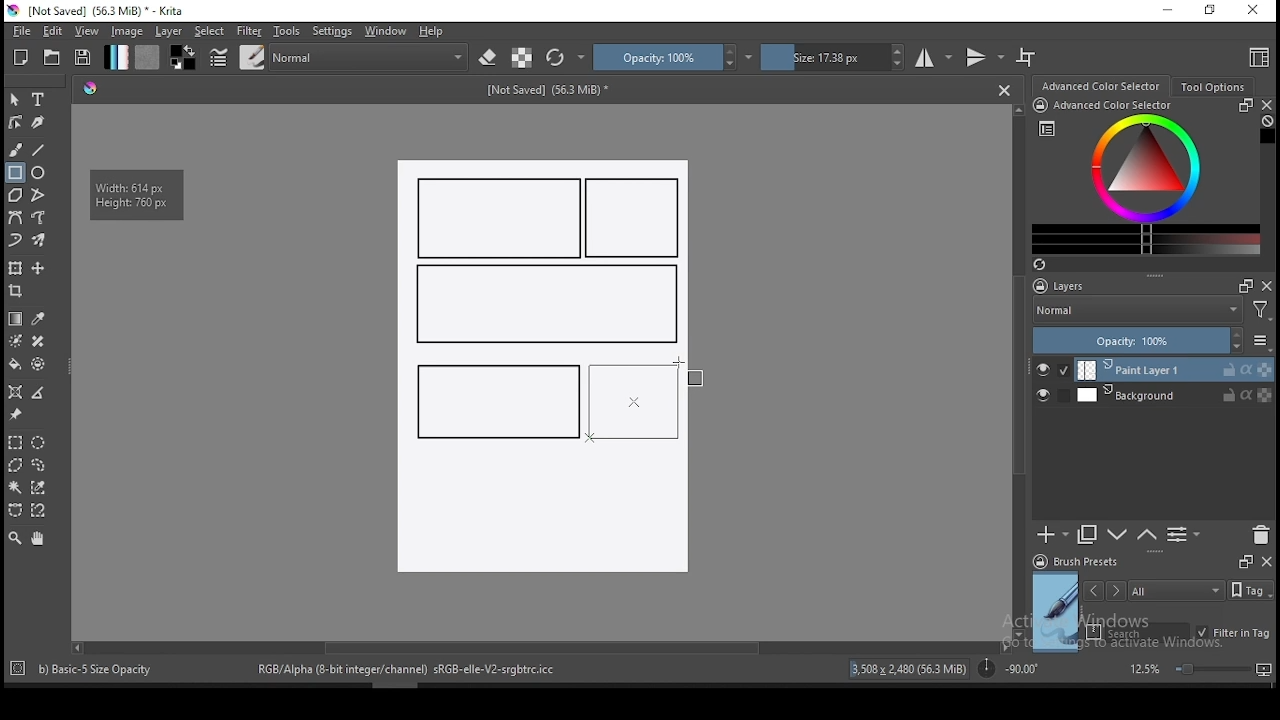 This screenshot has width=1280, height=720. What do you see at coordinates (39, 171) in the screenshot?
I see `ellipse tool` at bounding box center [39, 171].